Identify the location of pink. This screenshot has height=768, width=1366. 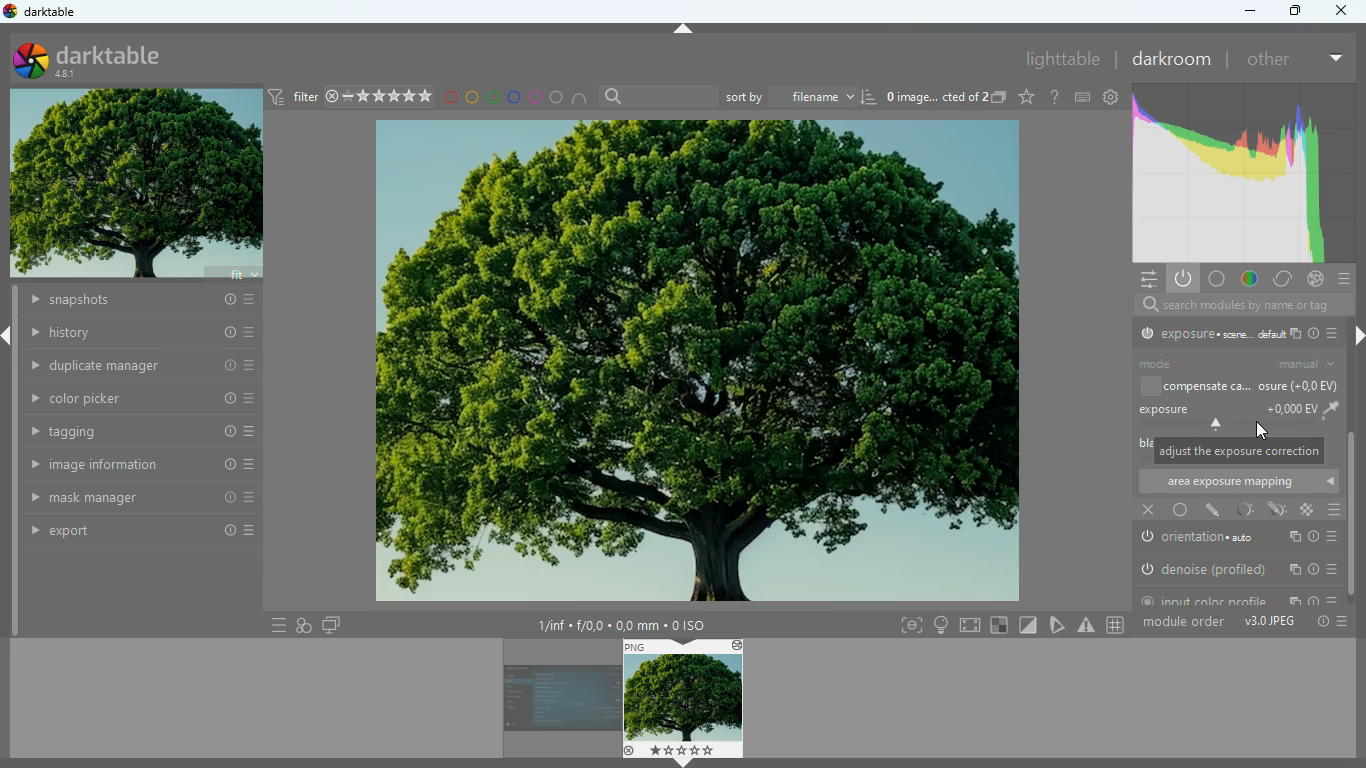
(534, 98).